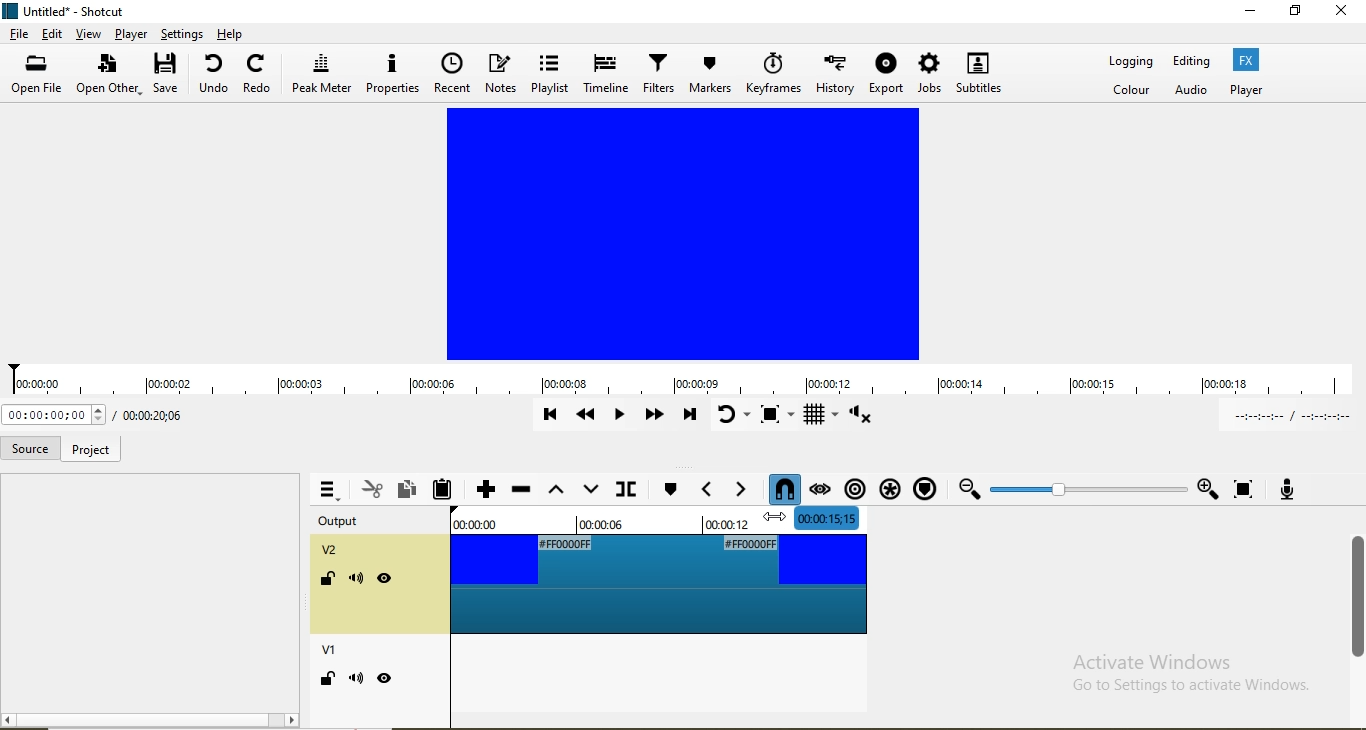  I want to click on recent, so click(452, 73).